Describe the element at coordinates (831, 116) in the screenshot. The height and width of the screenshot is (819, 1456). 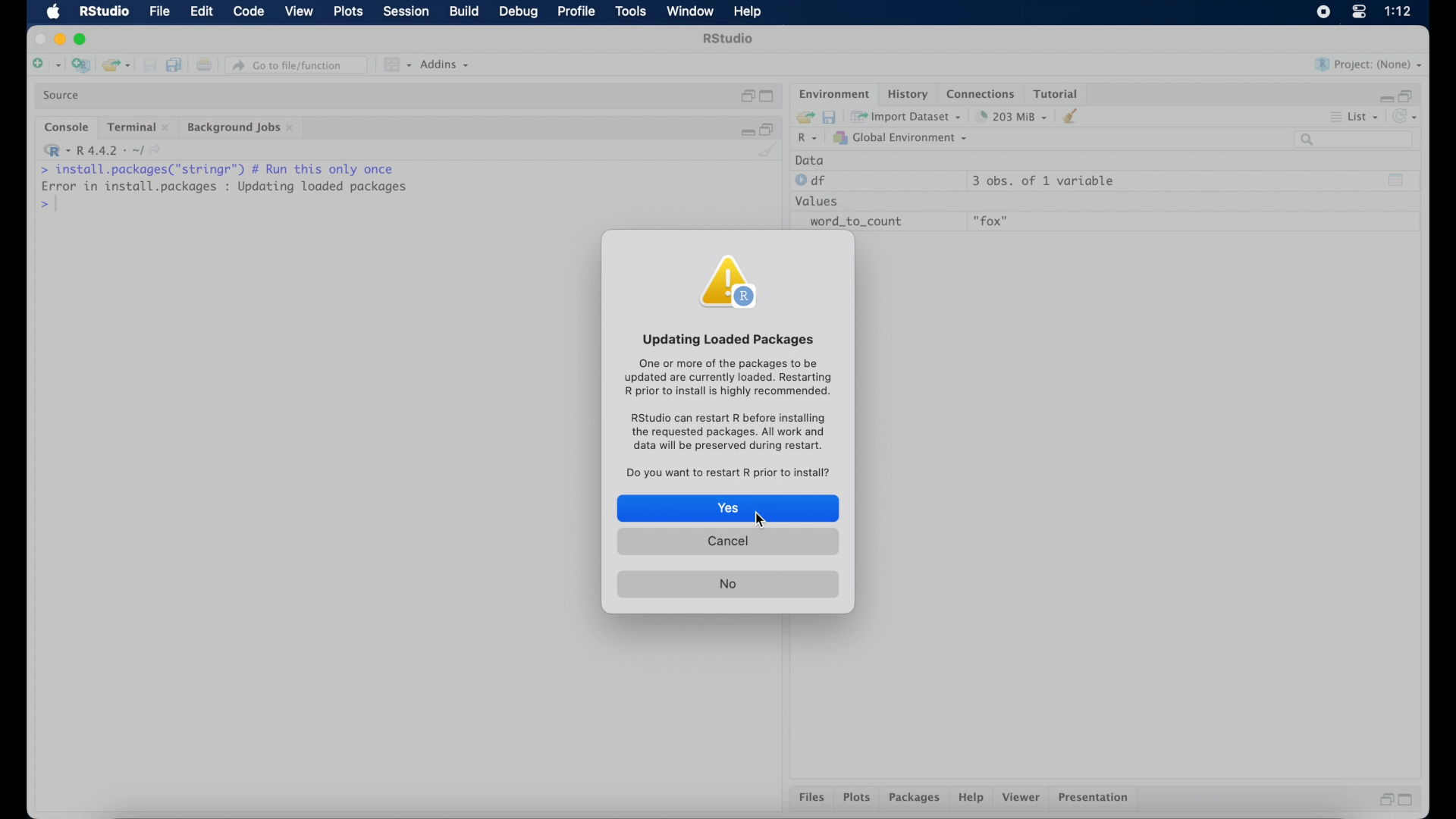
I see `save` at that location.